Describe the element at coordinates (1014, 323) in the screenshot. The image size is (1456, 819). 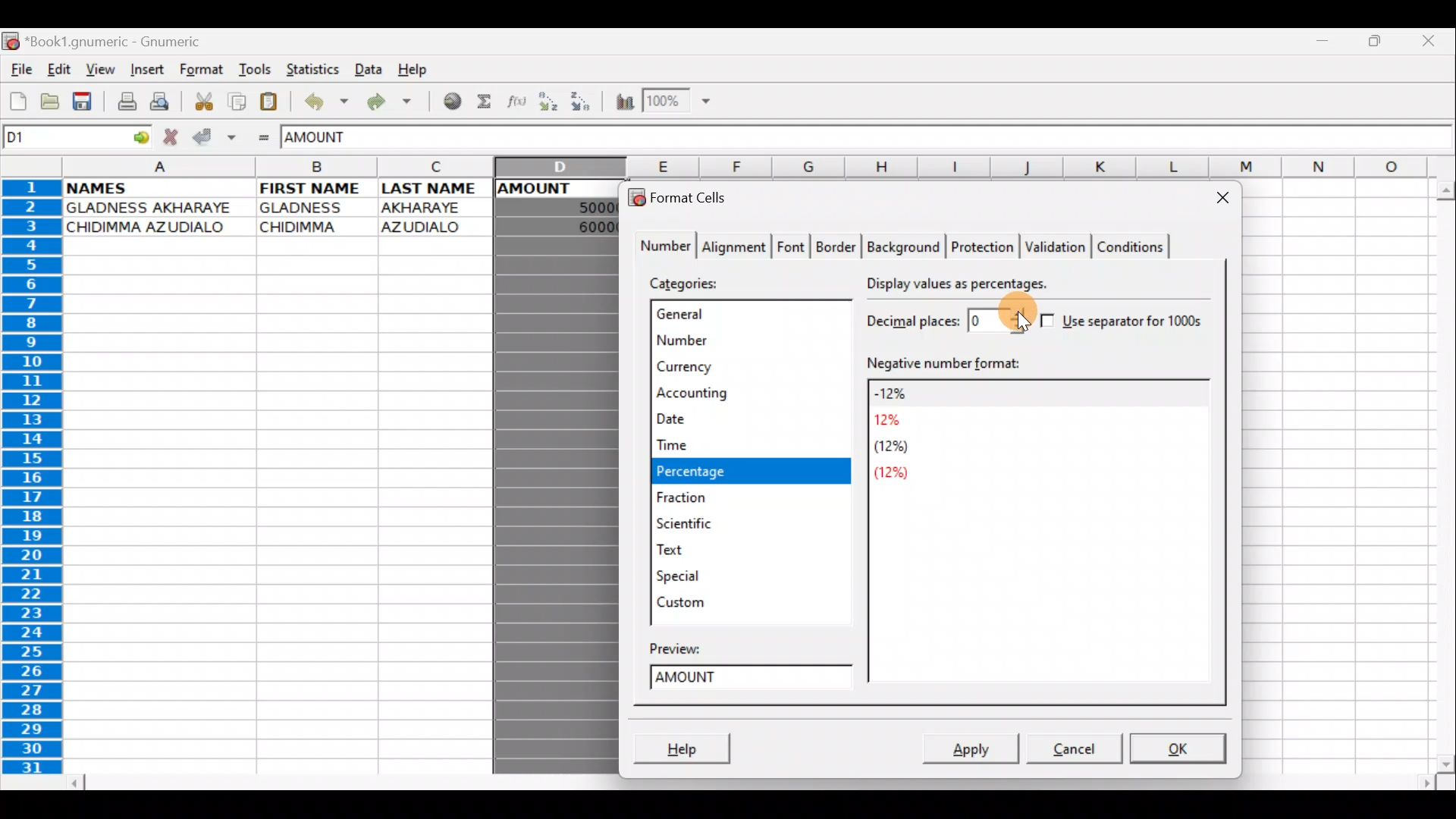
I see `Cursor on decimal places` at that location.